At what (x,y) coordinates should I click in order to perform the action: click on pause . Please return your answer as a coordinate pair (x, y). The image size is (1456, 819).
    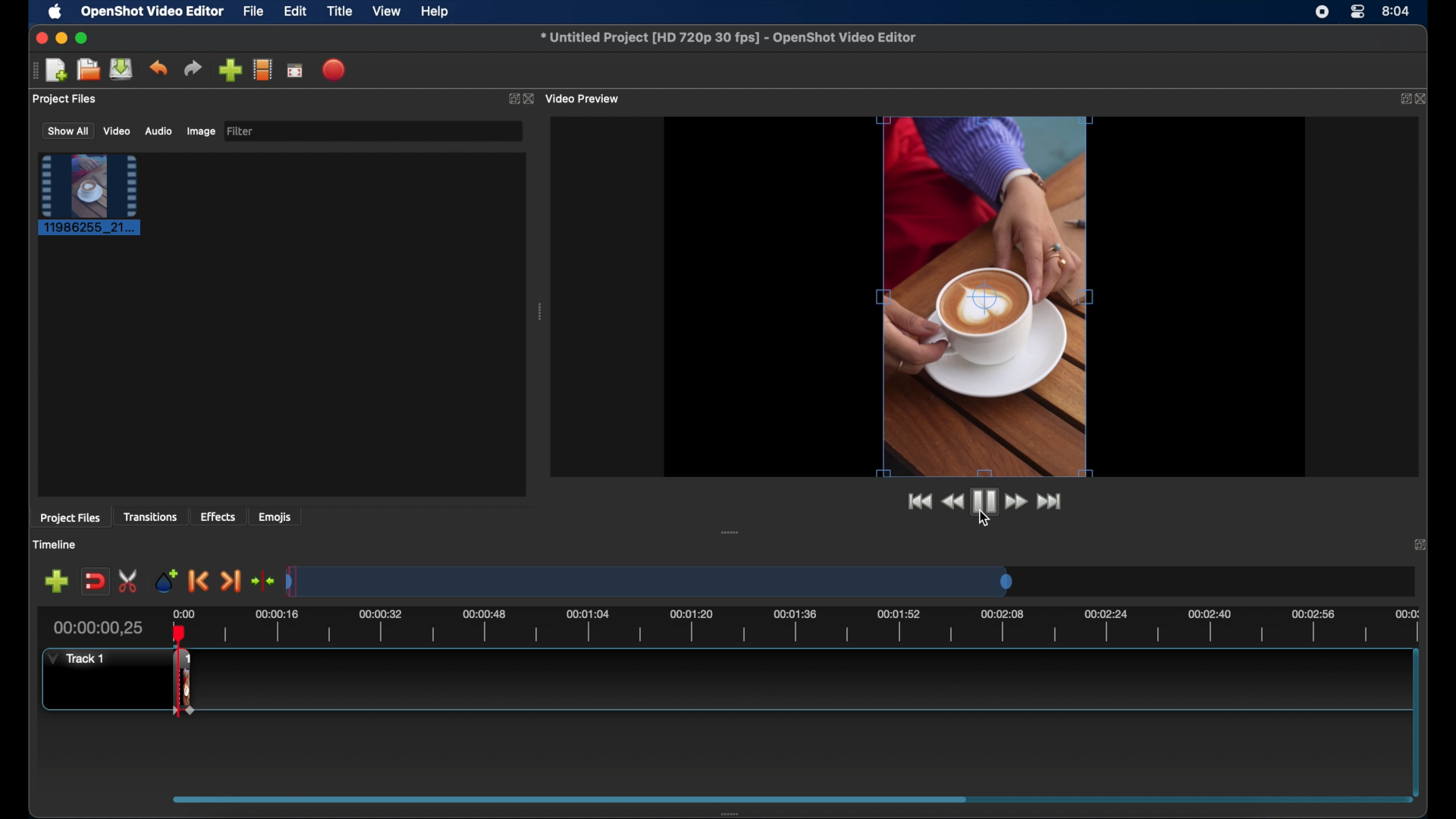
    Looking at the image, I should click on (985, 501).